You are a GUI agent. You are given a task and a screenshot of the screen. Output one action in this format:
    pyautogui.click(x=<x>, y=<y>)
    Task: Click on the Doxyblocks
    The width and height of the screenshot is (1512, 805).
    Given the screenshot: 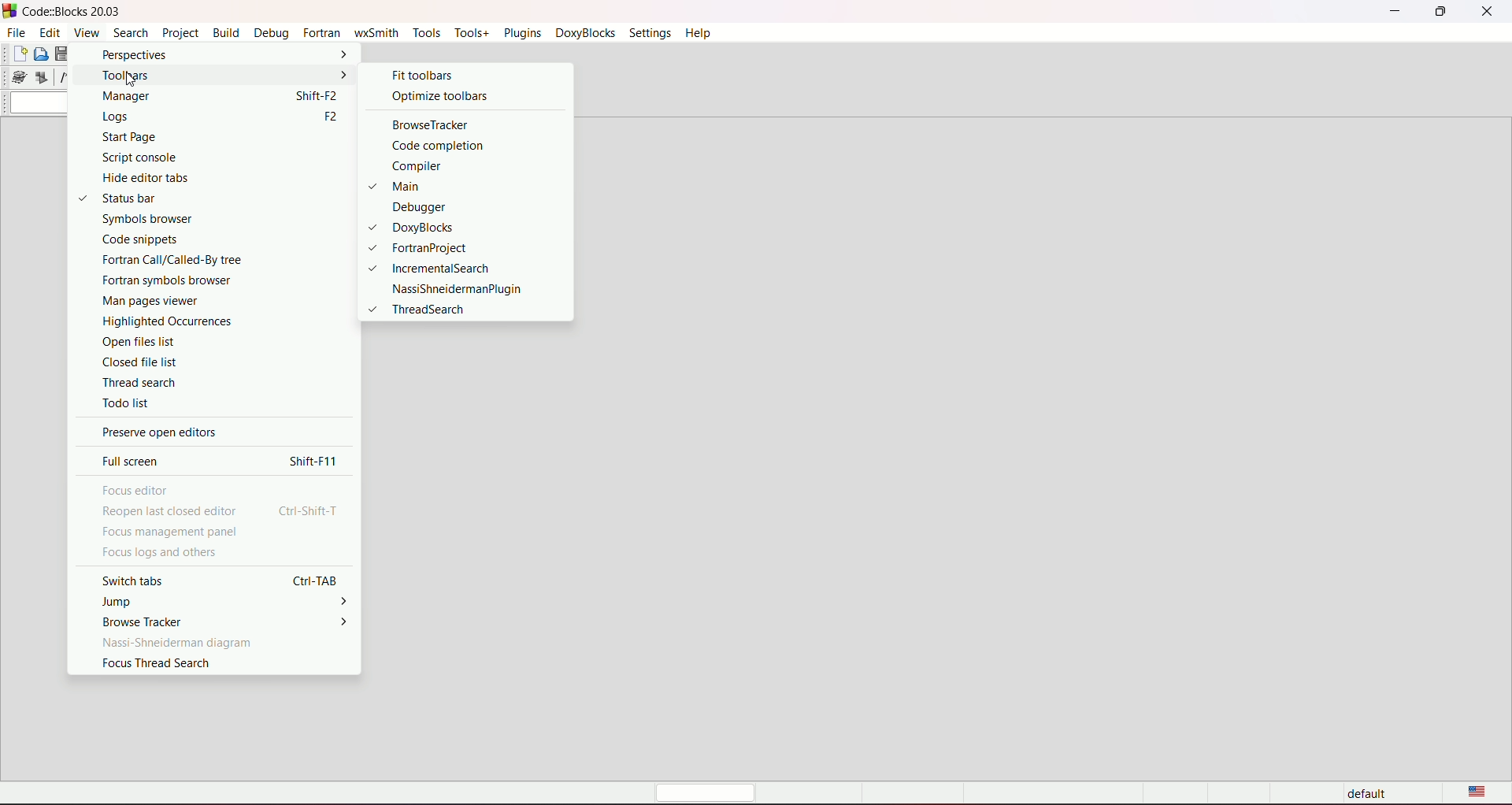 What is the action you would take?
    pyautogui.click(x=438, y=228)
    